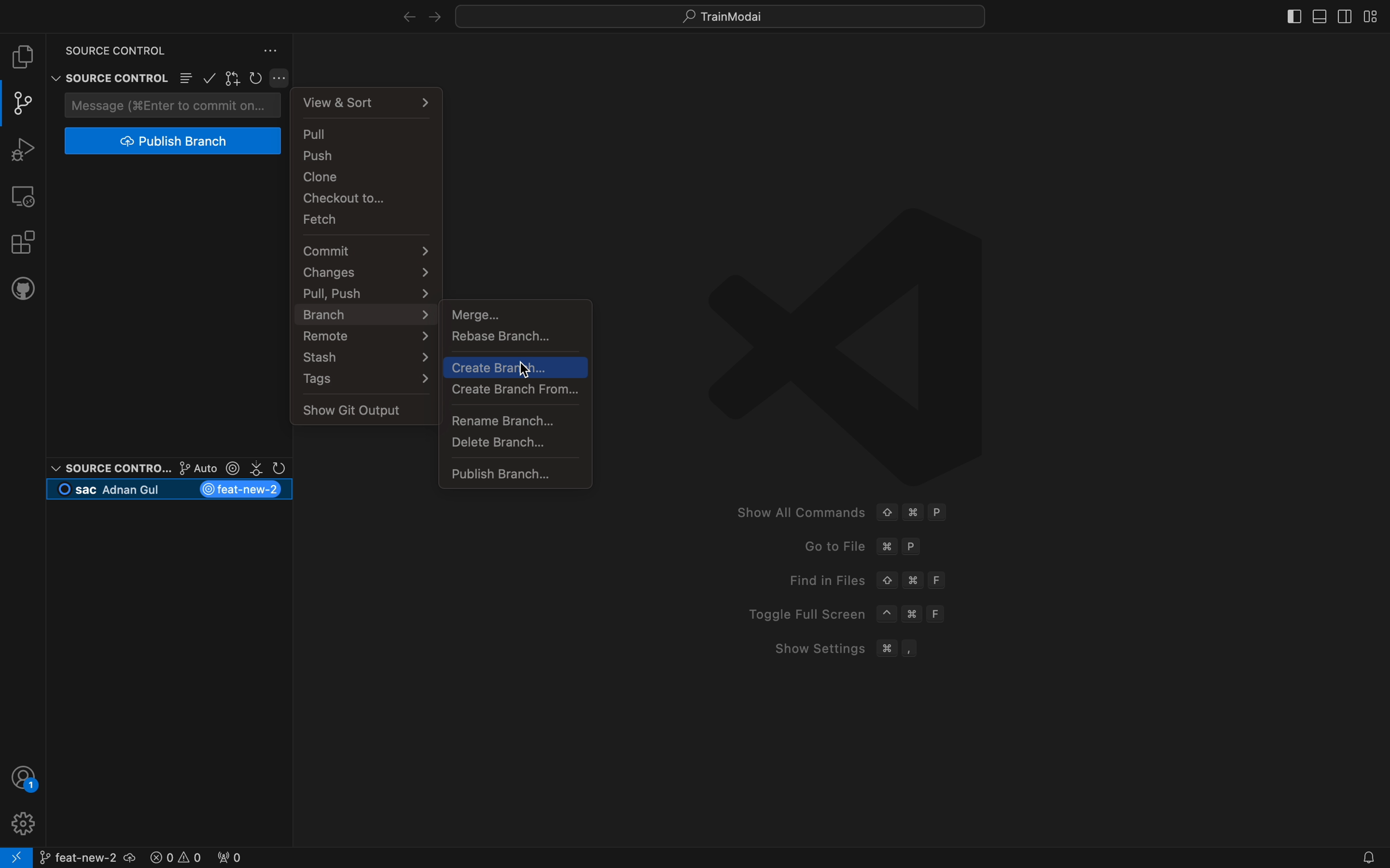 This screenshot has height=868, width=1390. Describe the element at coordinates (272, 51) in the screenshot. I see `version control settings` at that location.